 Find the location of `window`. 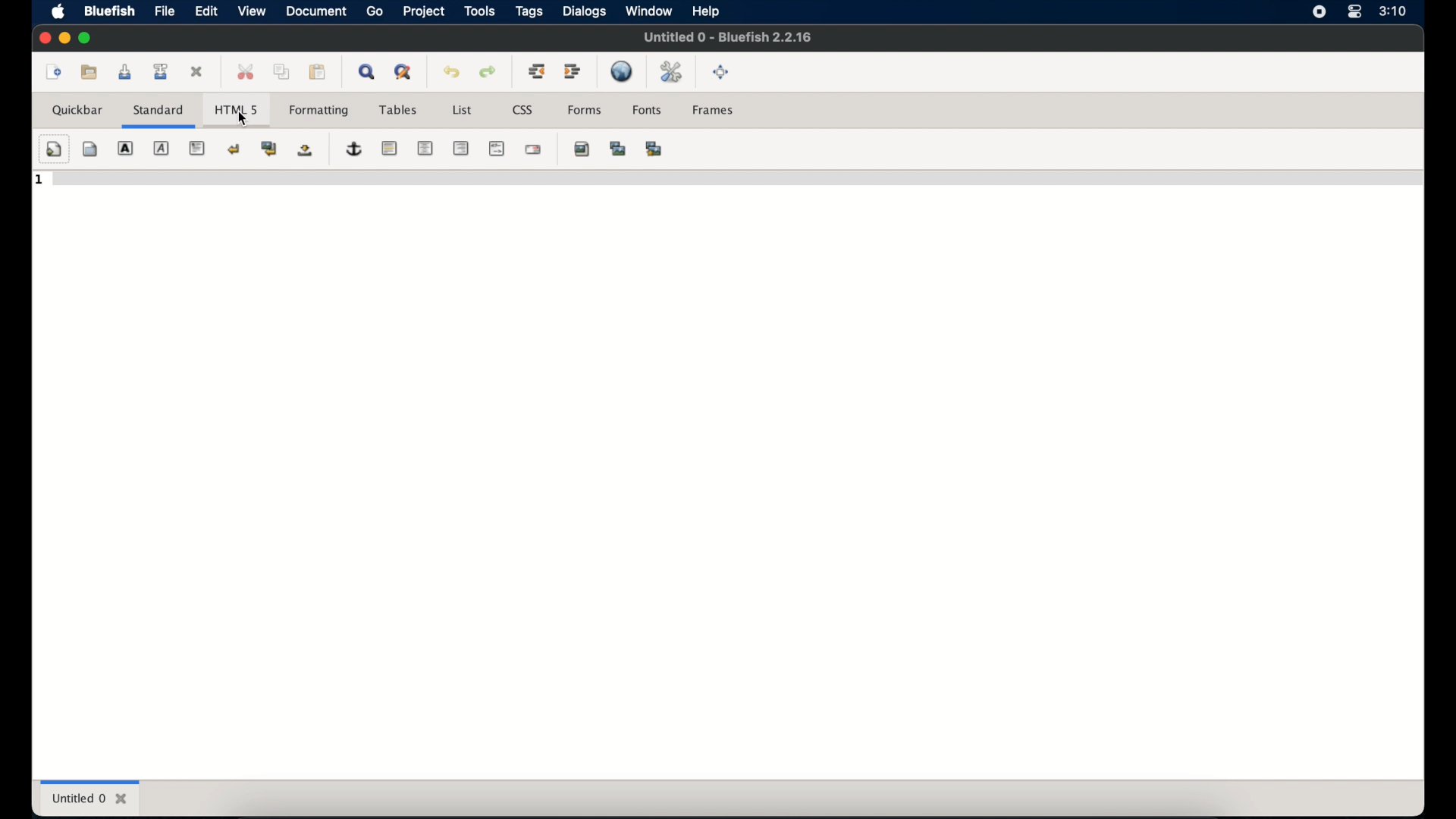

window is located at coordinates (648, 11).